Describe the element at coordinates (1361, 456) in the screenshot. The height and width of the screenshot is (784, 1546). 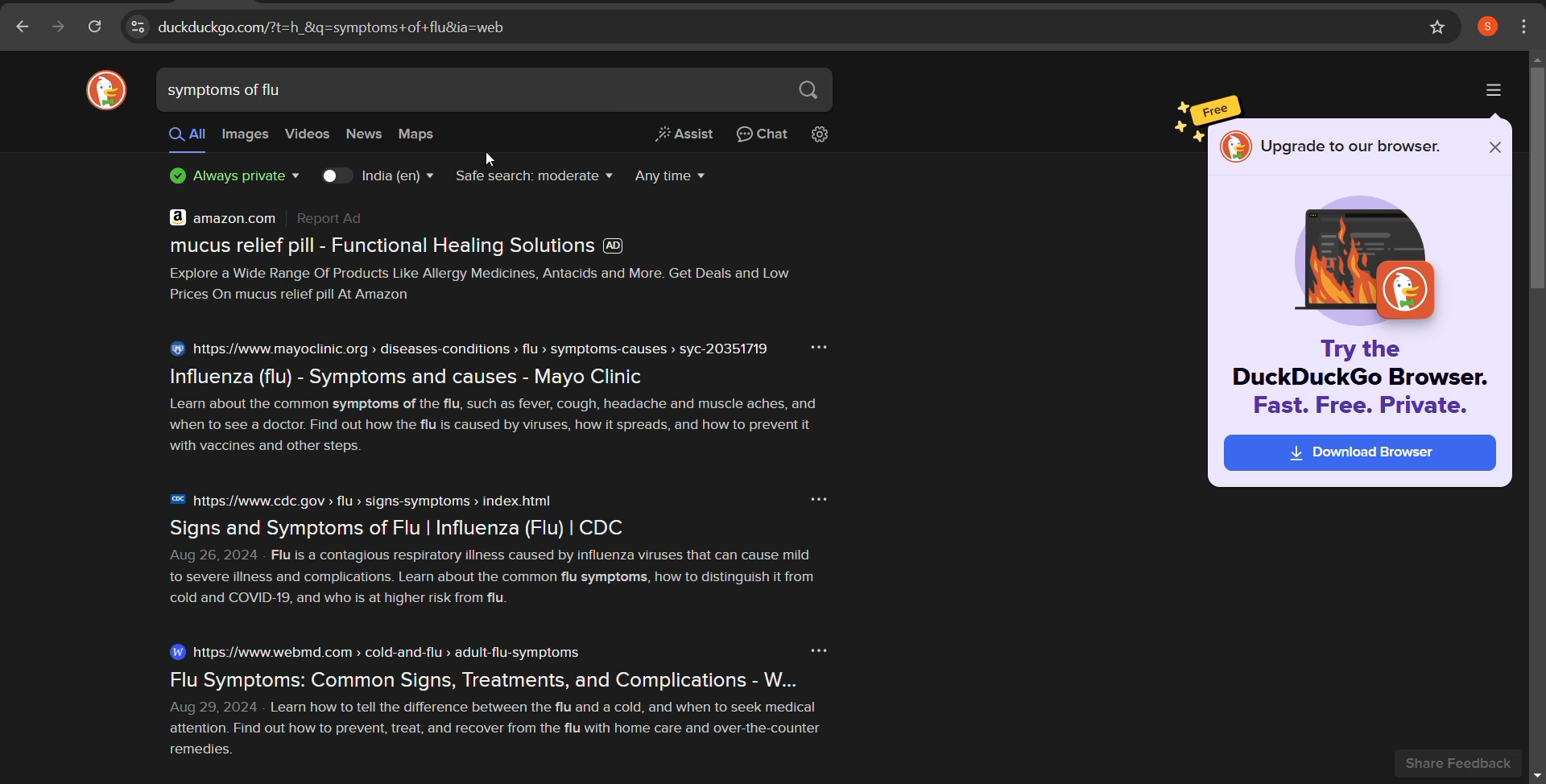
I see `download browser` at that location.